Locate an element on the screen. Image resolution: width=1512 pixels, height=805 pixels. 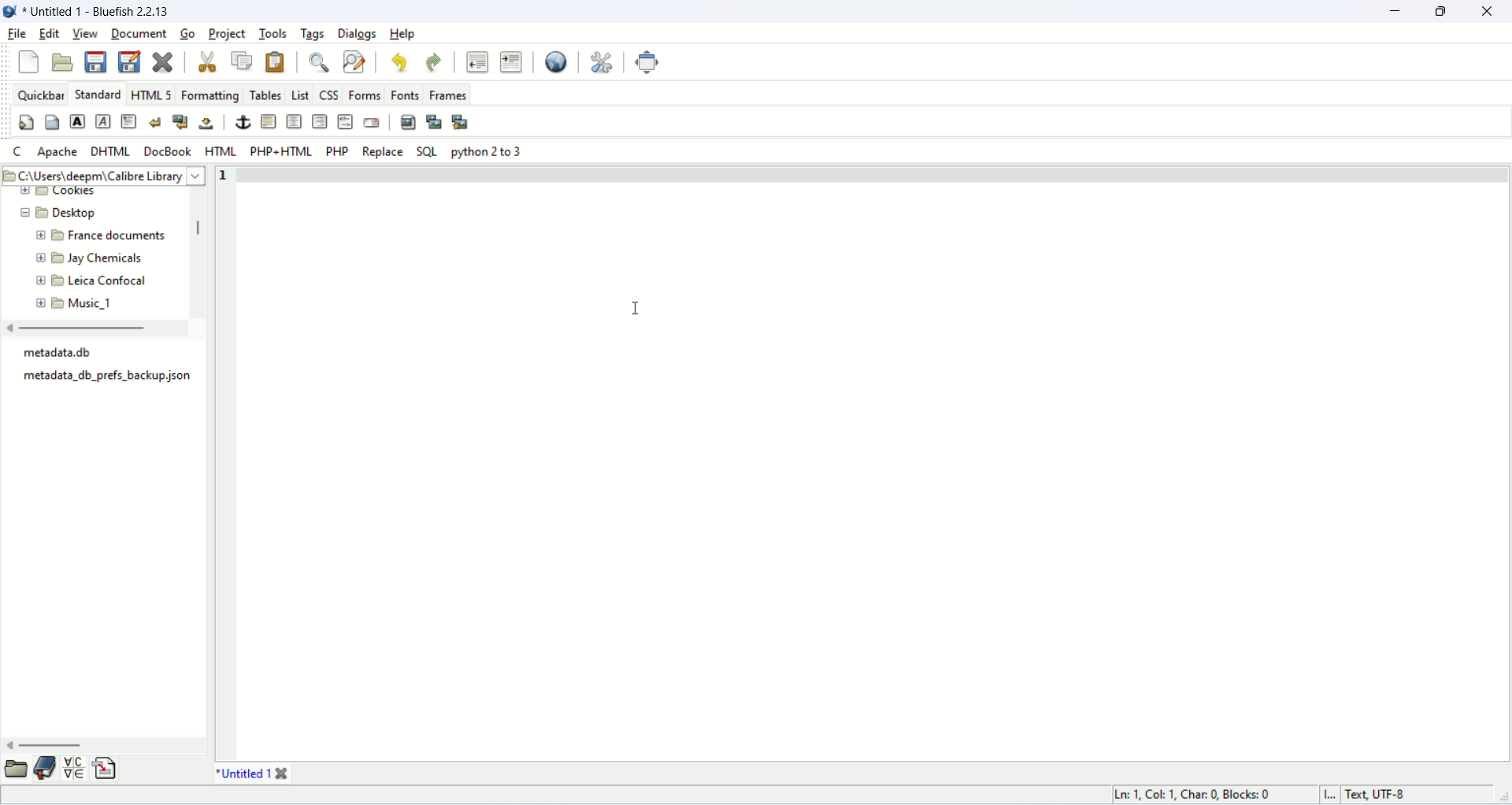
folder name is located at coordinates (95, 236).